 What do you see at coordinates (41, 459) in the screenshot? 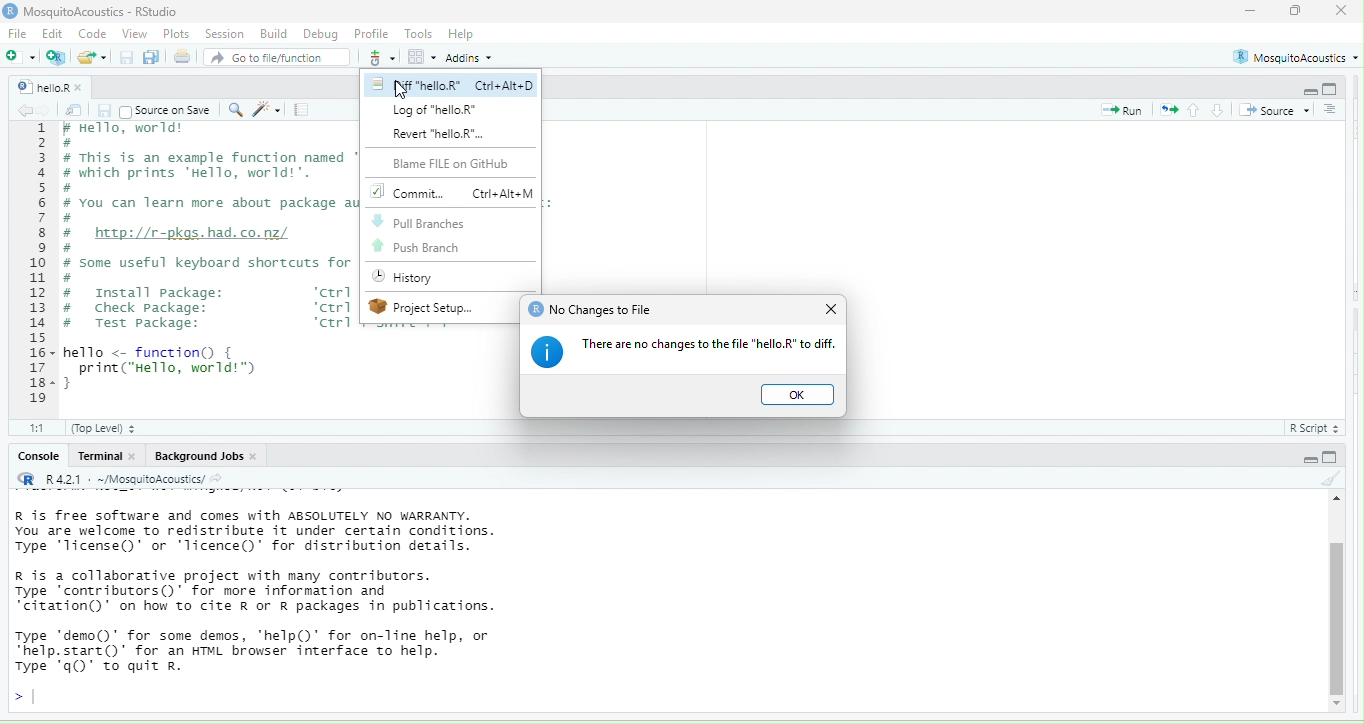
I see `Console` at bounding box center [41, 459].